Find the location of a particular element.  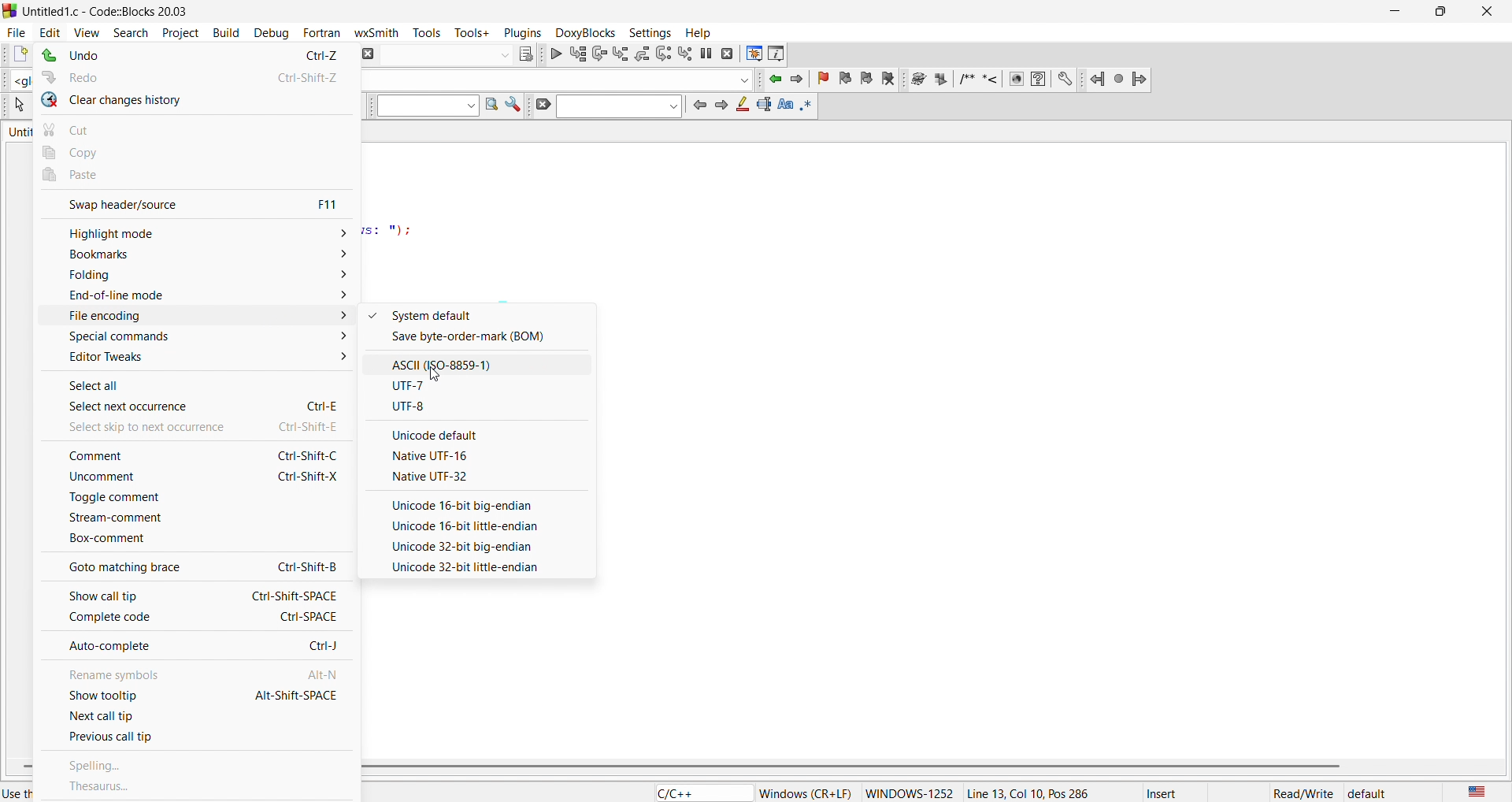

redo is located at coordinates (193, 78).